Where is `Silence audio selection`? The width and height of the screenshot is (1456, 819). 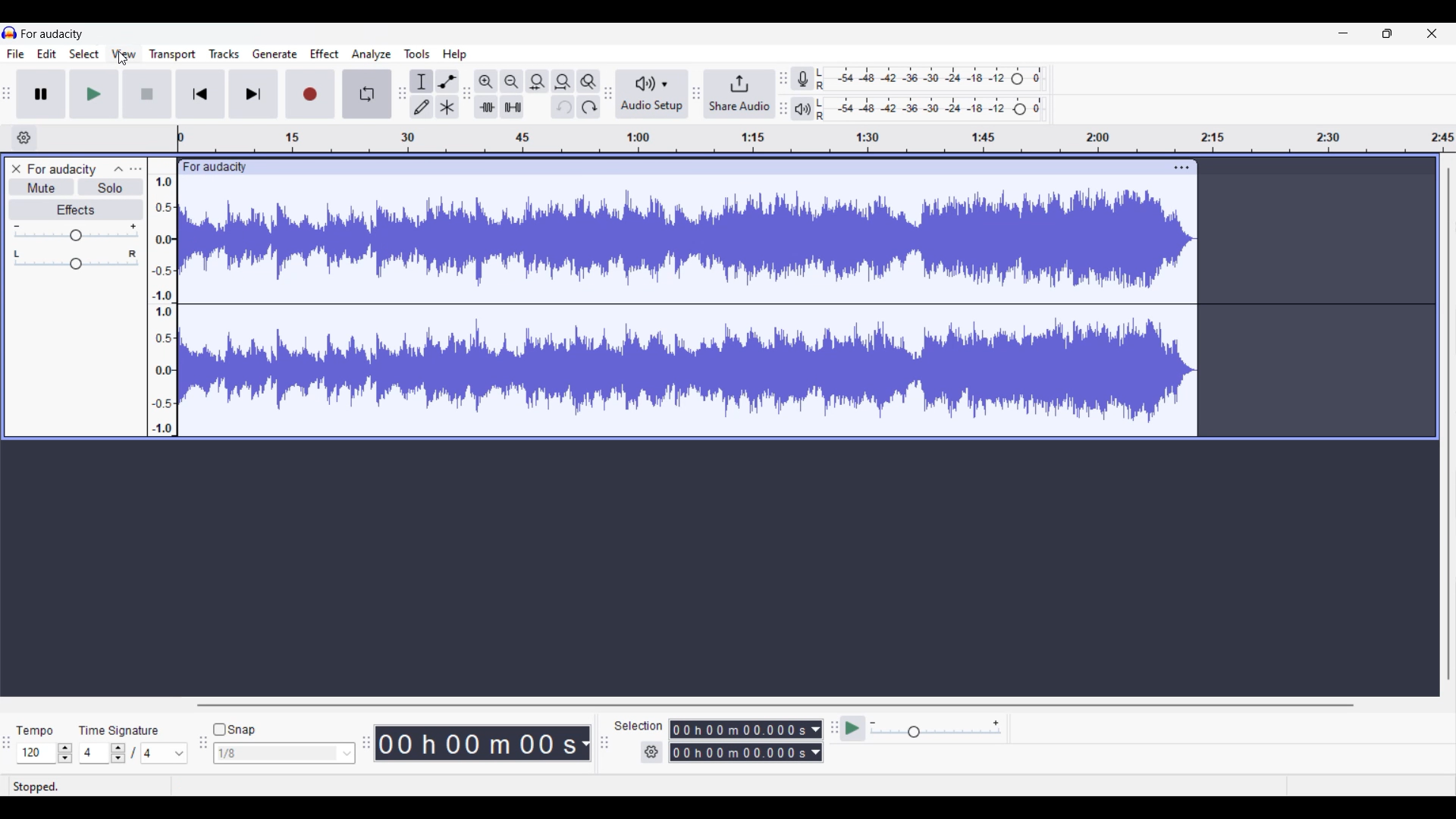 Silence audio selection is located at coordinates (512, 107).